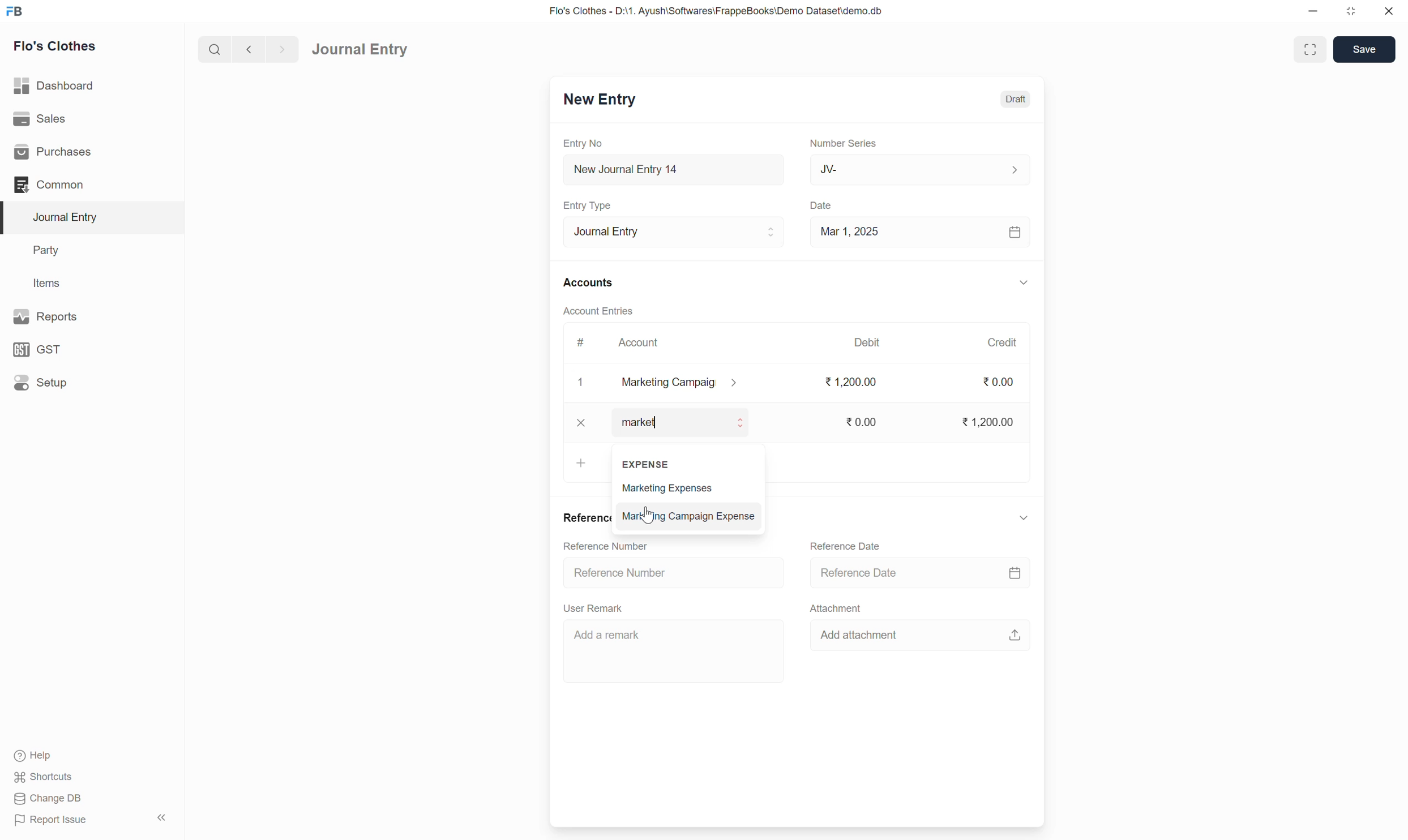 The width and height of the screenshot is (1408, 840). What do you see at coordinates (1023, 517) in the screenshot?
I see `down` at bounding box center [1023, 517].